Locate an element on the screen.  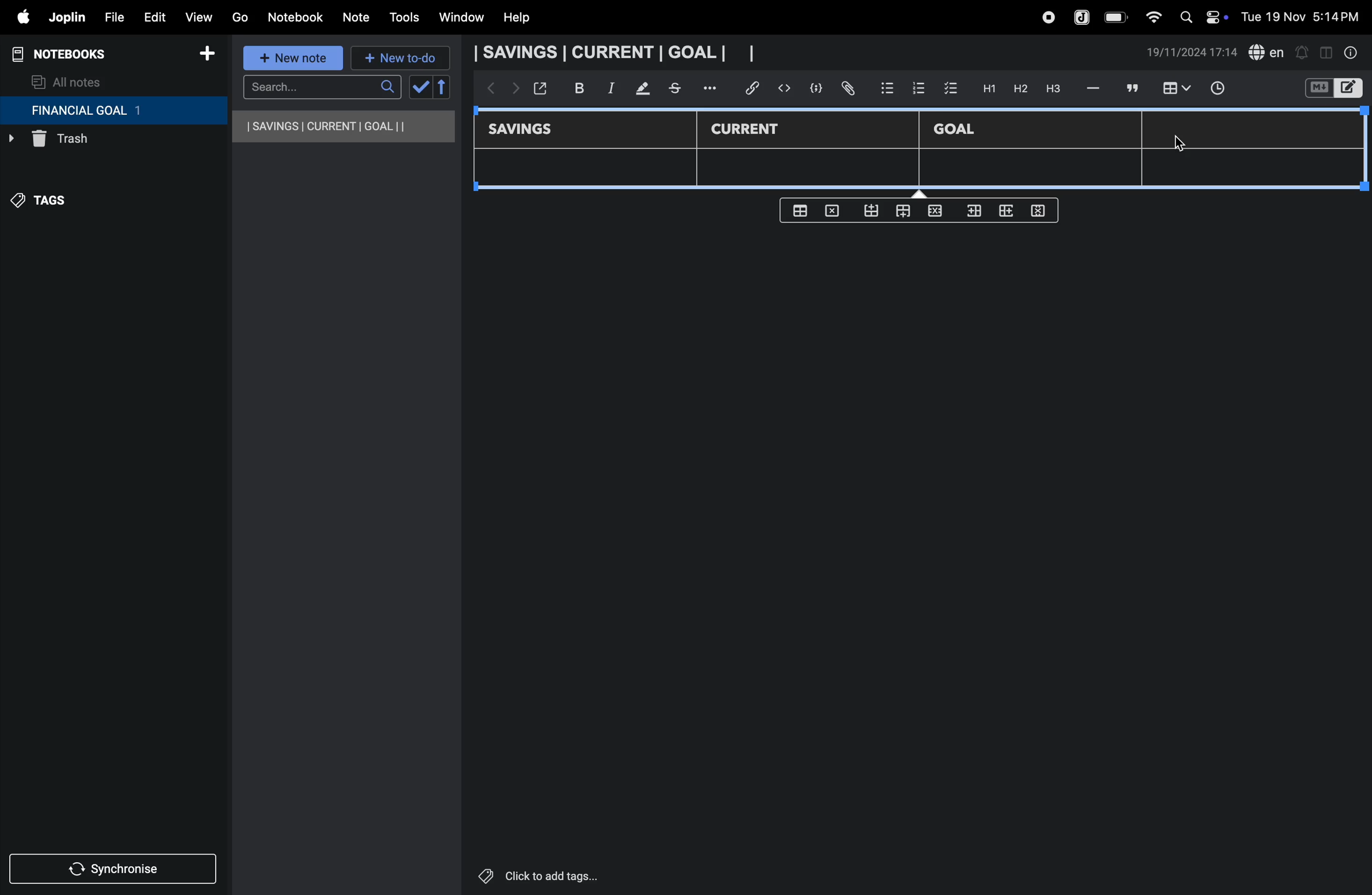
options is located at coordinates (712, 88).